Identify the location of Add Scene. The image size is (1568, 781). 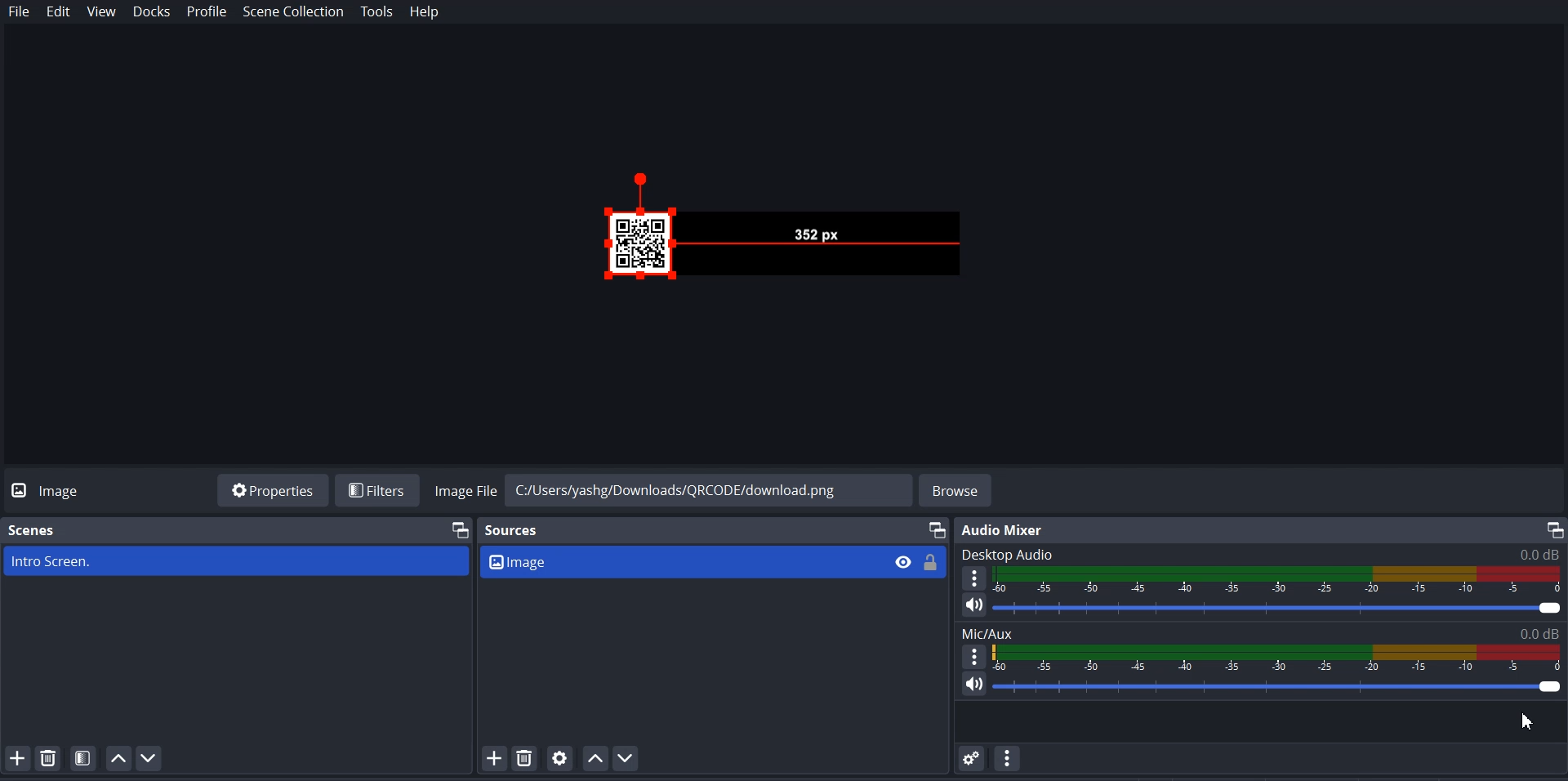
(17, 757).